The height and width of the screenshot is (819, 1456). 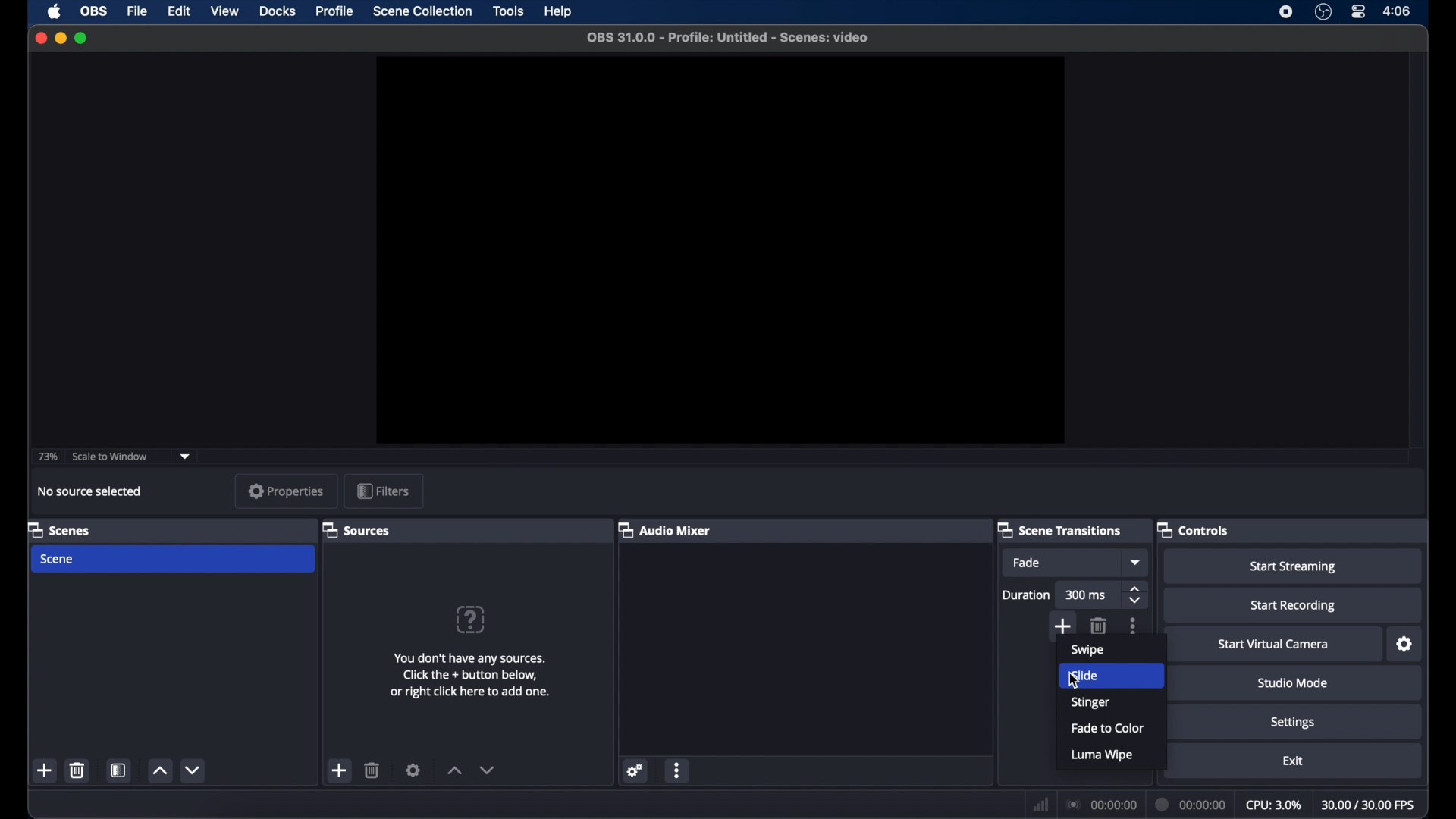 I want to click on start streaming, so click(x=1293, y=567).